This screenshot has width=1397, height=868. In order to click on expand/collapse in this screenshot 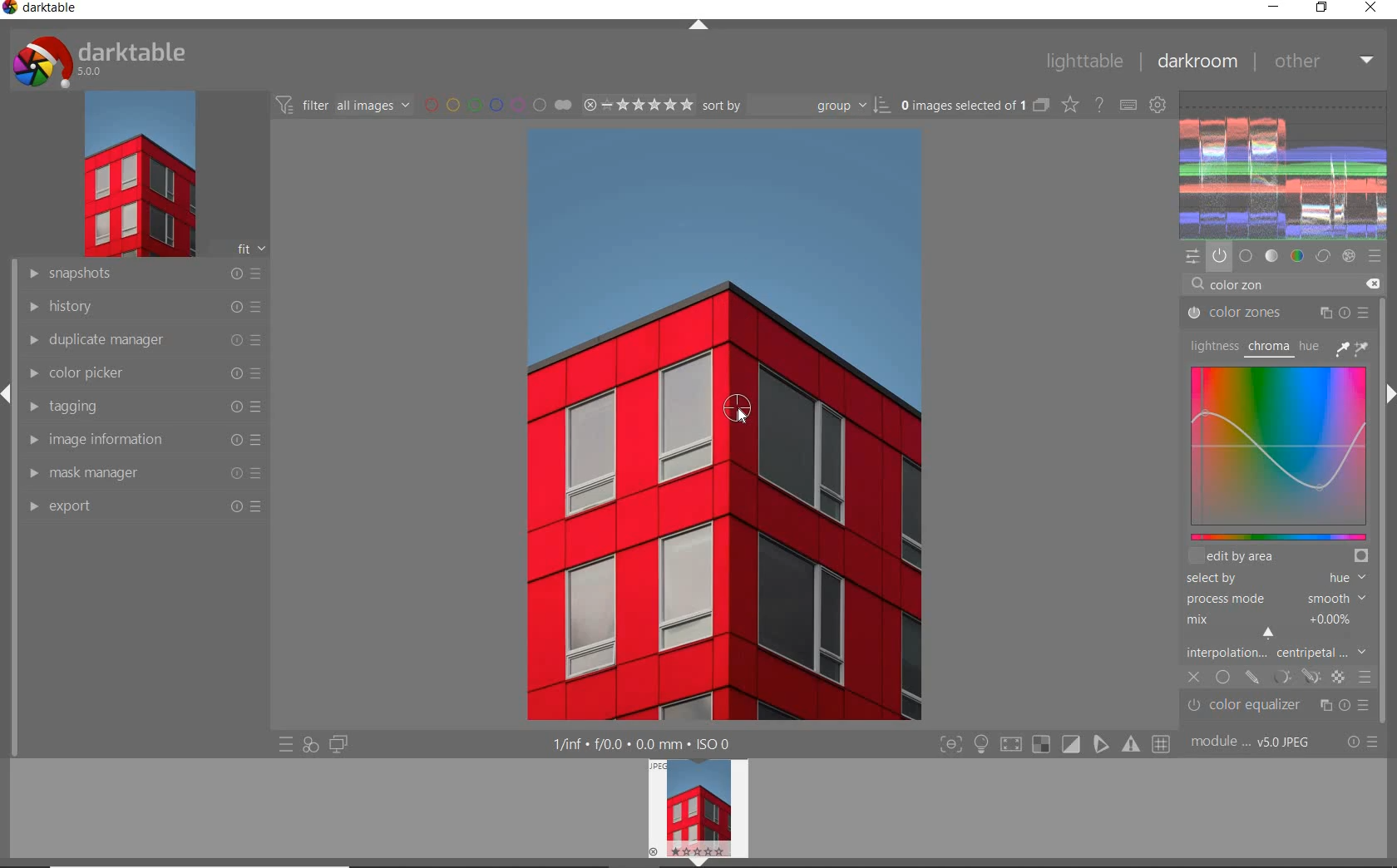, I will do `click(700, 861)`.